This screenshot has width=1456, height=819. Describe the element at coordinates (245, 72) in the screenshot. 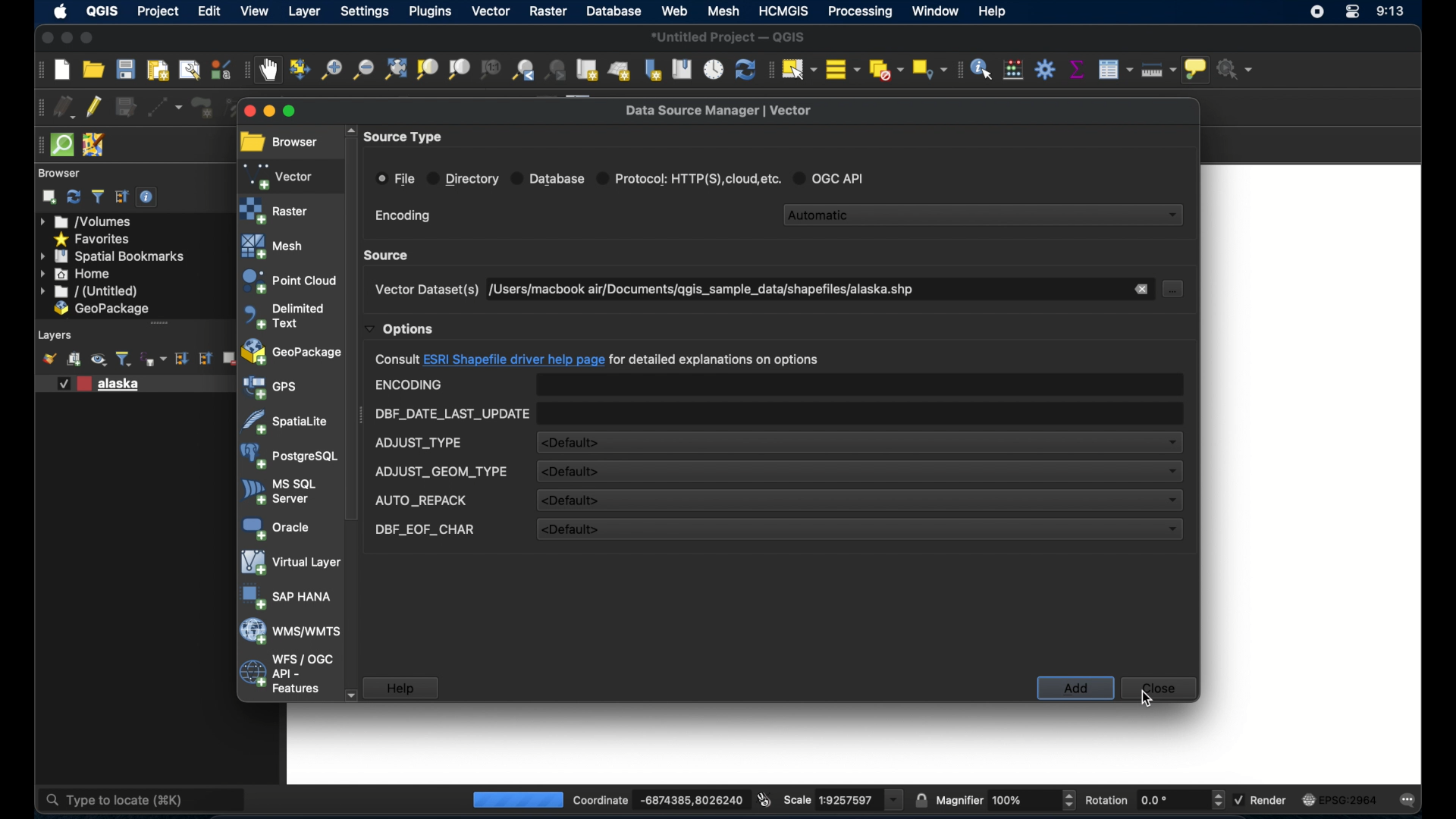

I see `map navigation toolbar` at that location.